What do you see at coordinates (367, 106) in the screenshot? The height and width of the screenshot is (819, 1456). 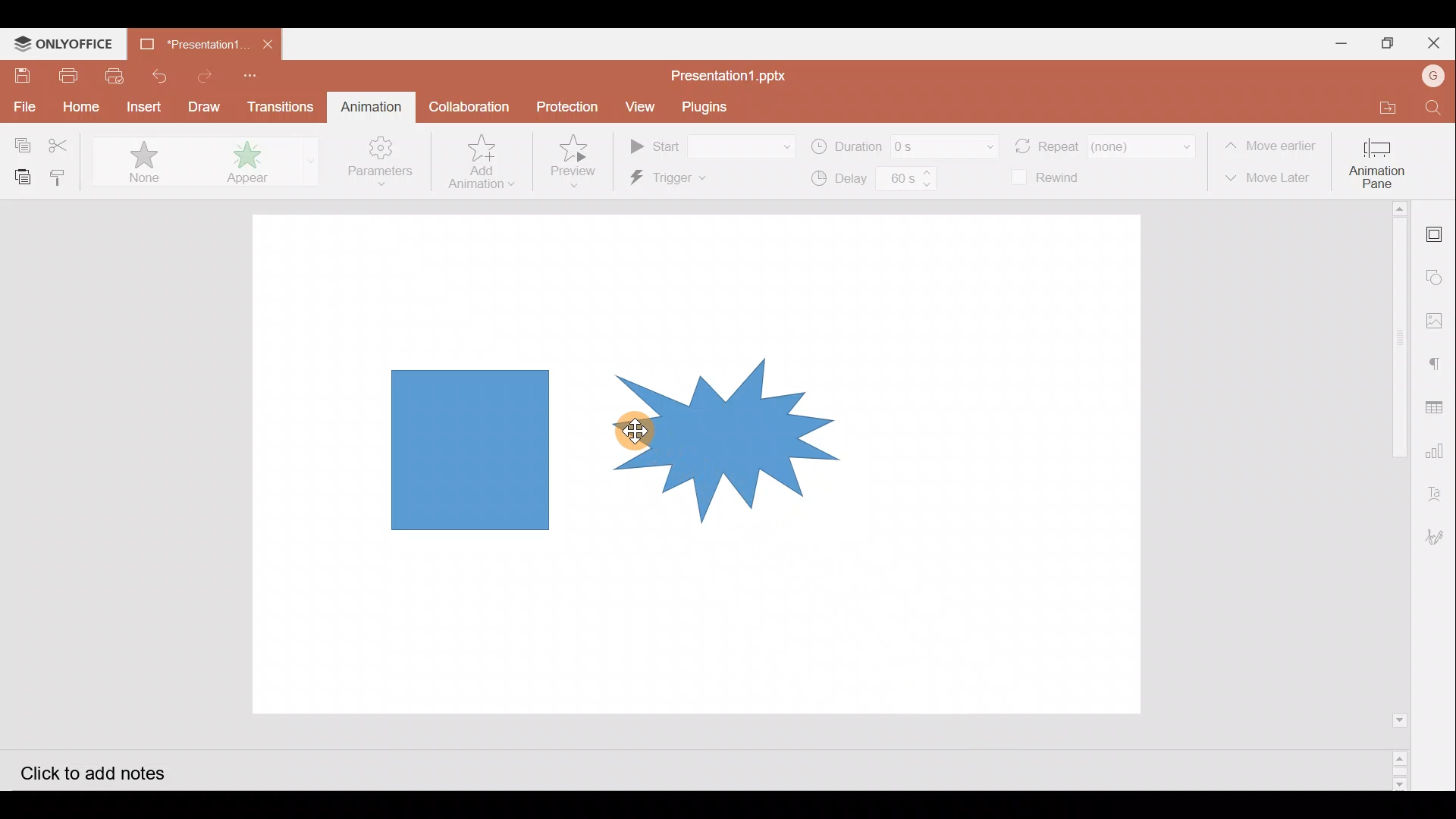 I see `Animation` at bounding box center [367, 106].